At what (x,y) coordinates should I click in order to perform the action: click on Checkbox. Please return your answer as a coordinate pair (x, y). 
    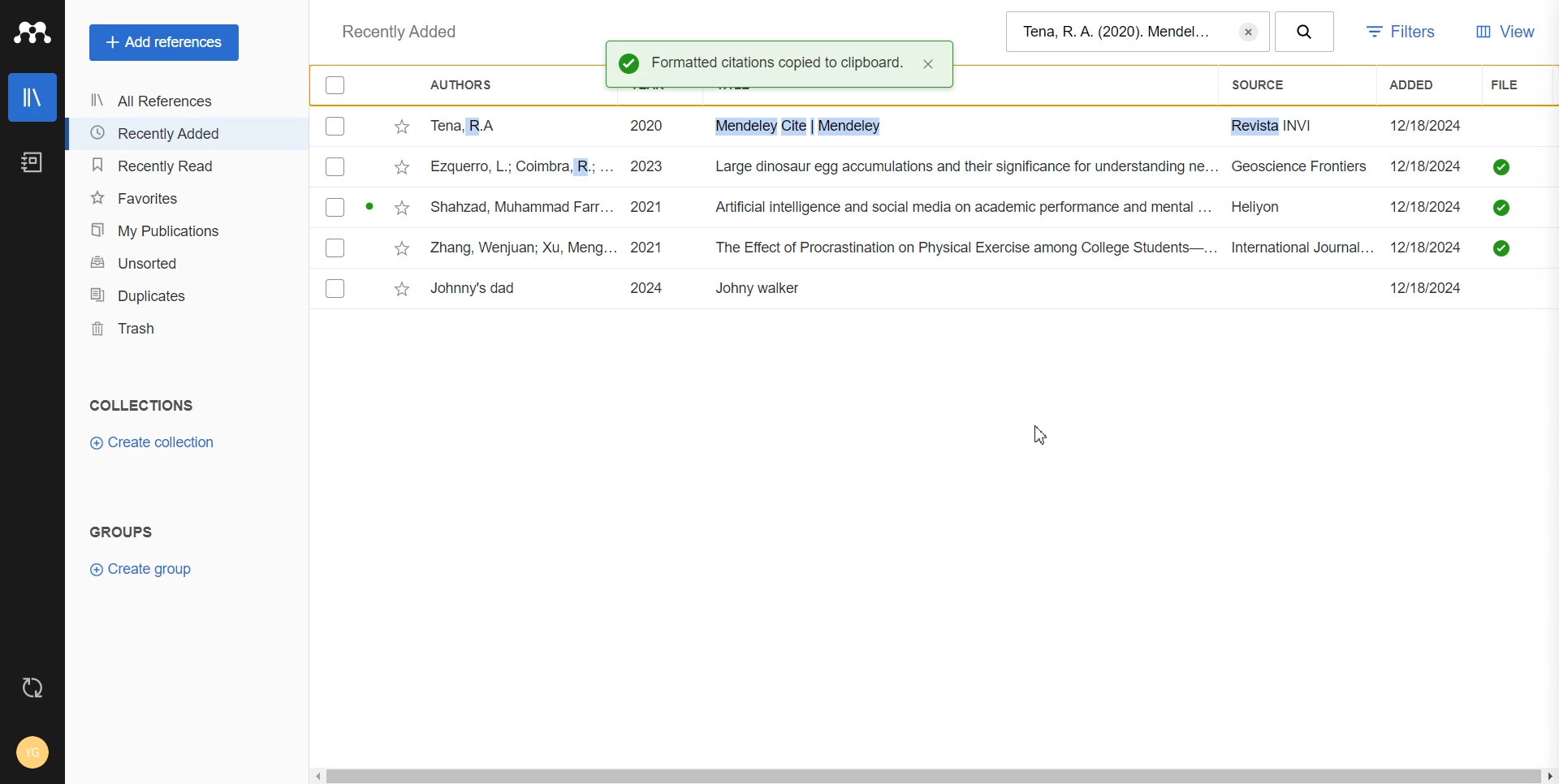
    Looking at the image, I should click on (335, 209).